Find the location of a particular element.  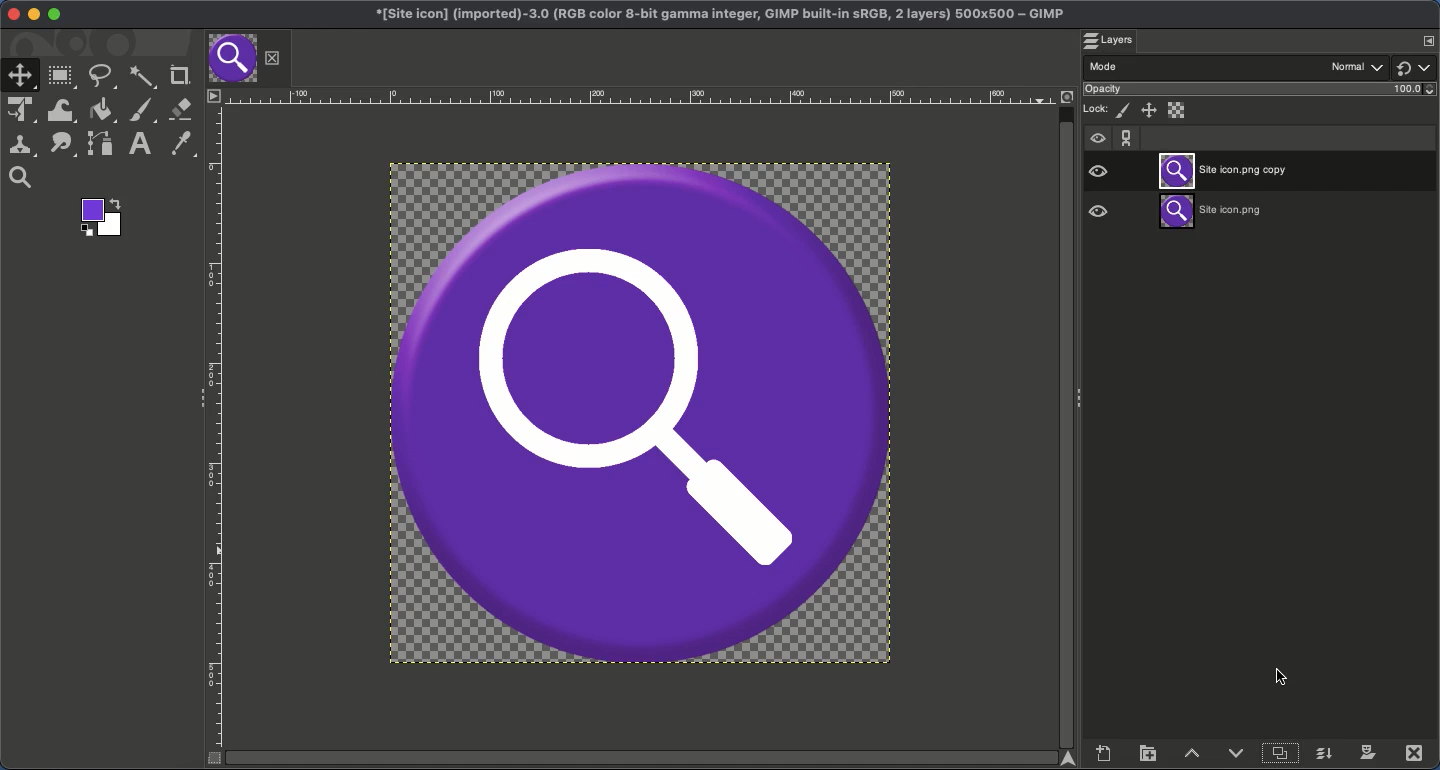

Switch is located at coordinates (1406, 69).